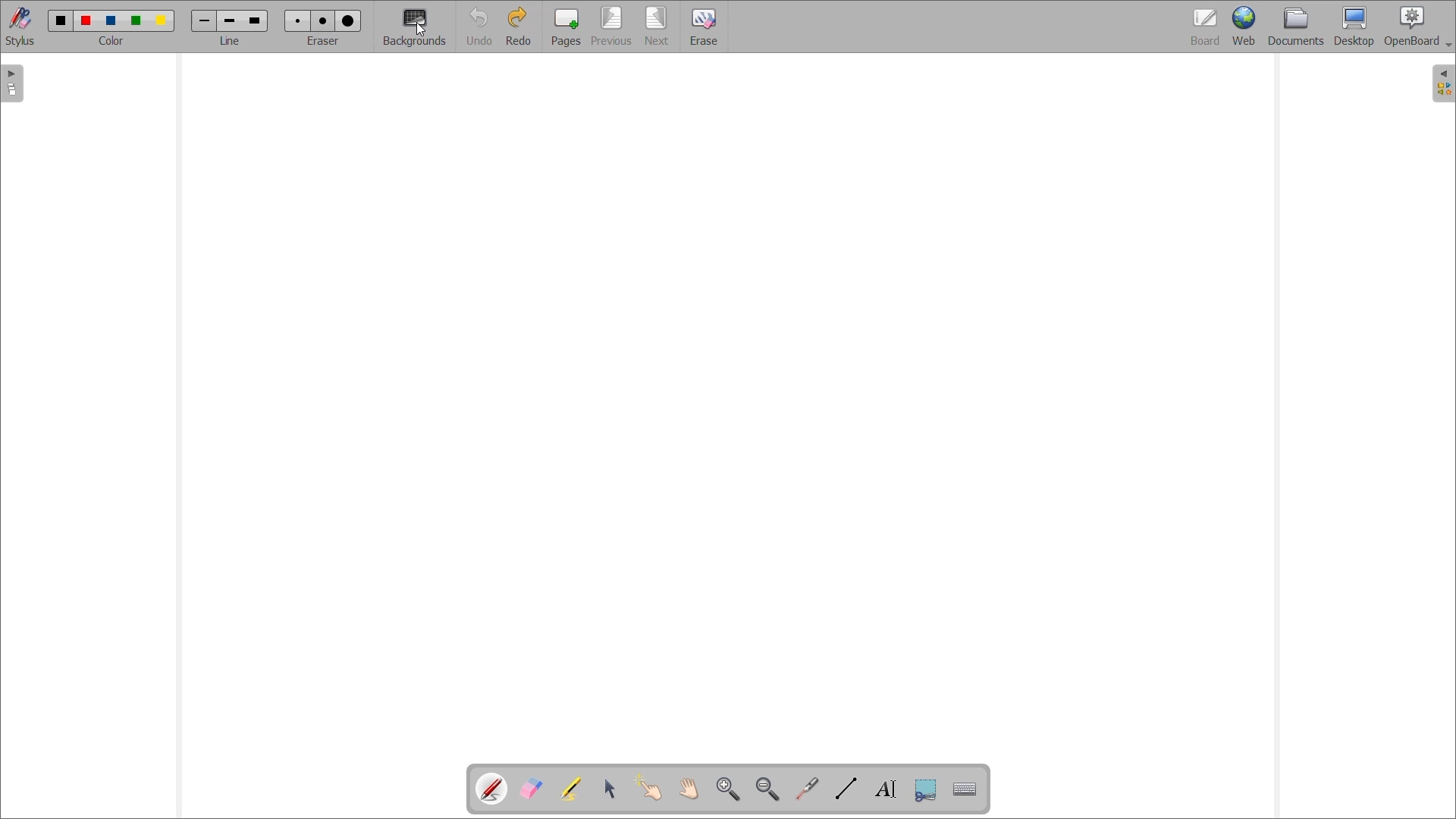 This screenshot has height=819, width=1456. I want to click on color, so click(115, 42).